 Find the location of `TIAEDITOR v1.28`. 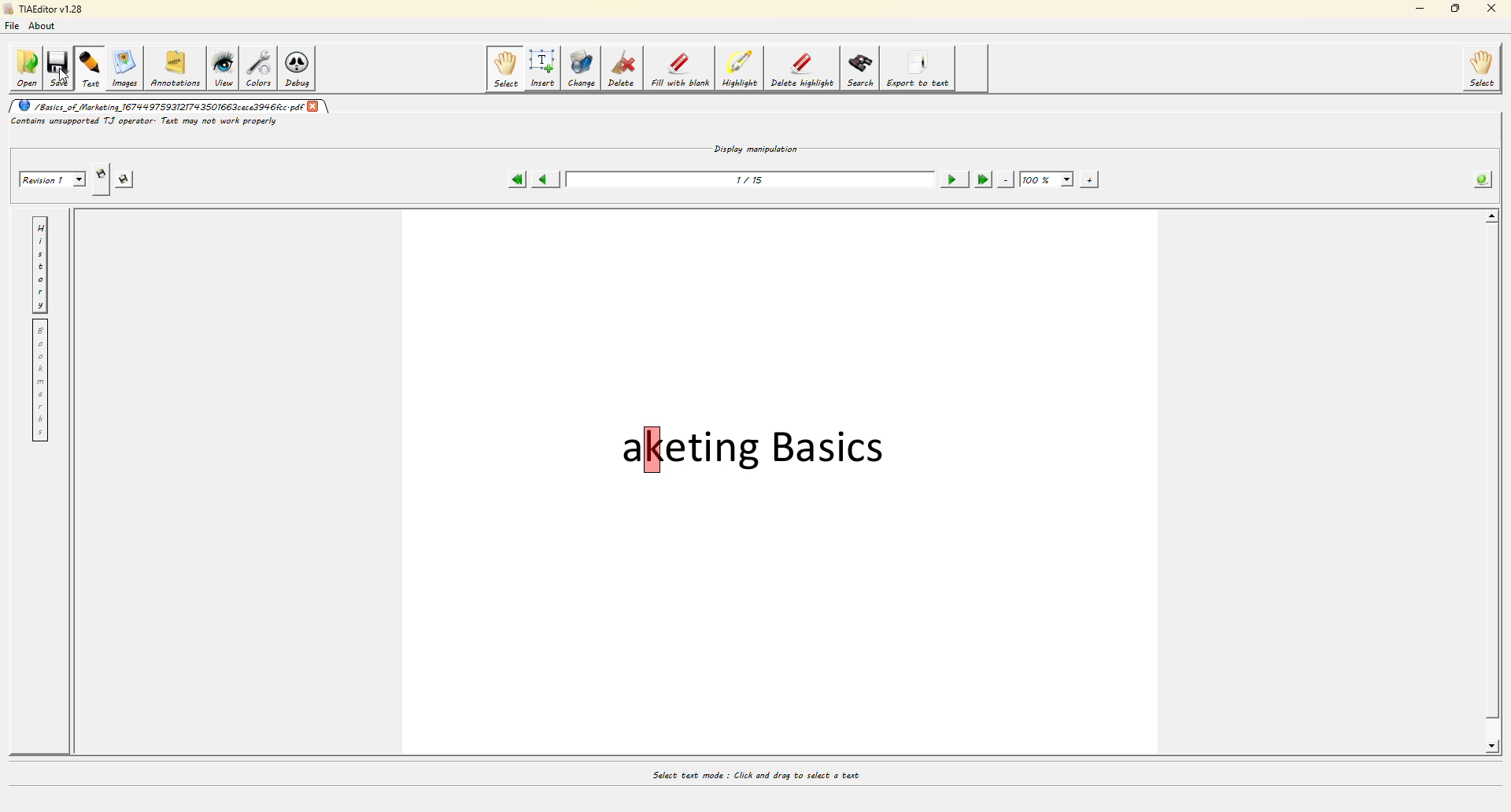

TIAEDITOR v1.28 is located at coordinates (42, 10).